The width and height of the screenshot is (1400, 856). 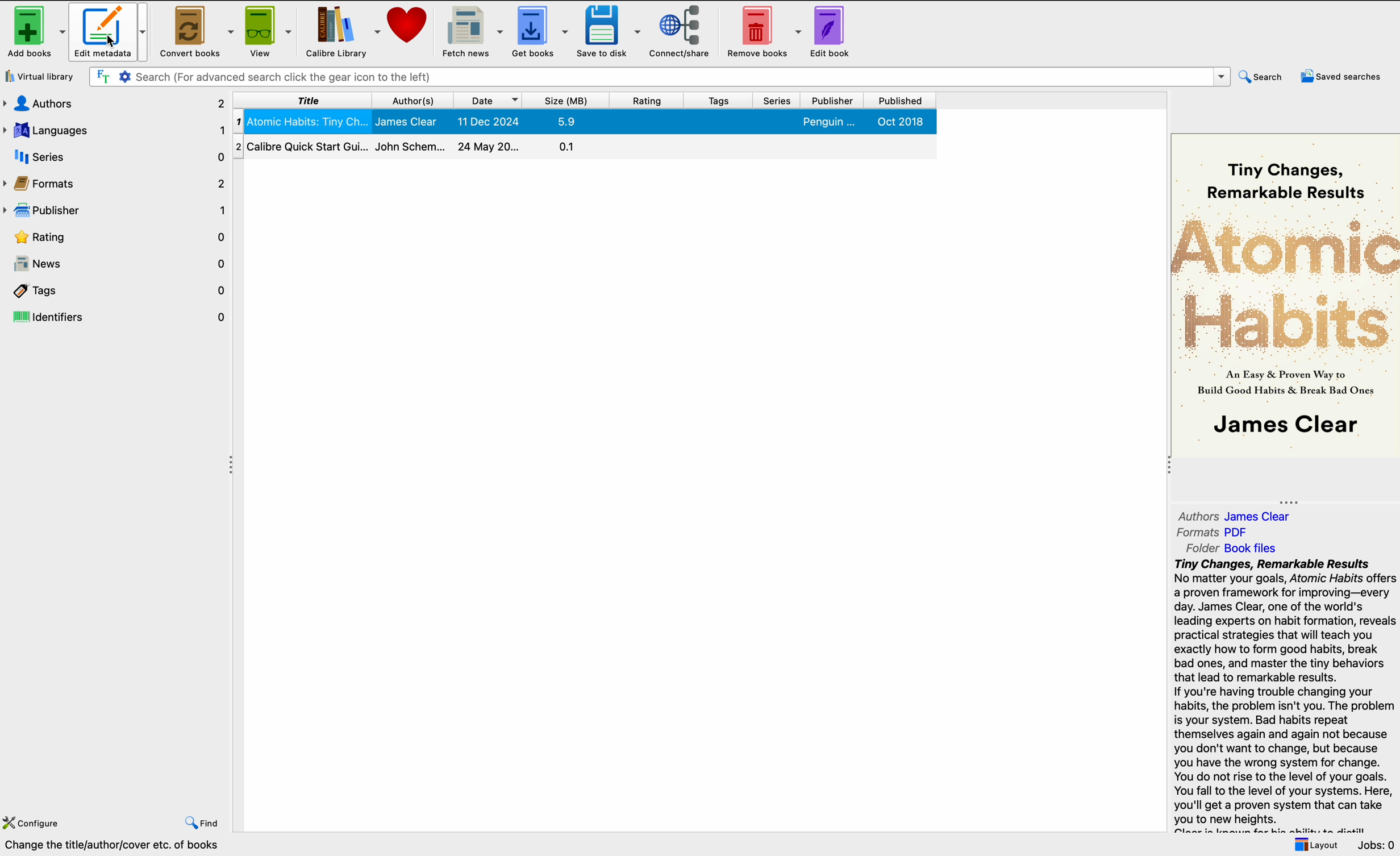 What do you see at coordinates (35, 31) in the screenshot?
I see `add books` at bounding box center [35, 31].